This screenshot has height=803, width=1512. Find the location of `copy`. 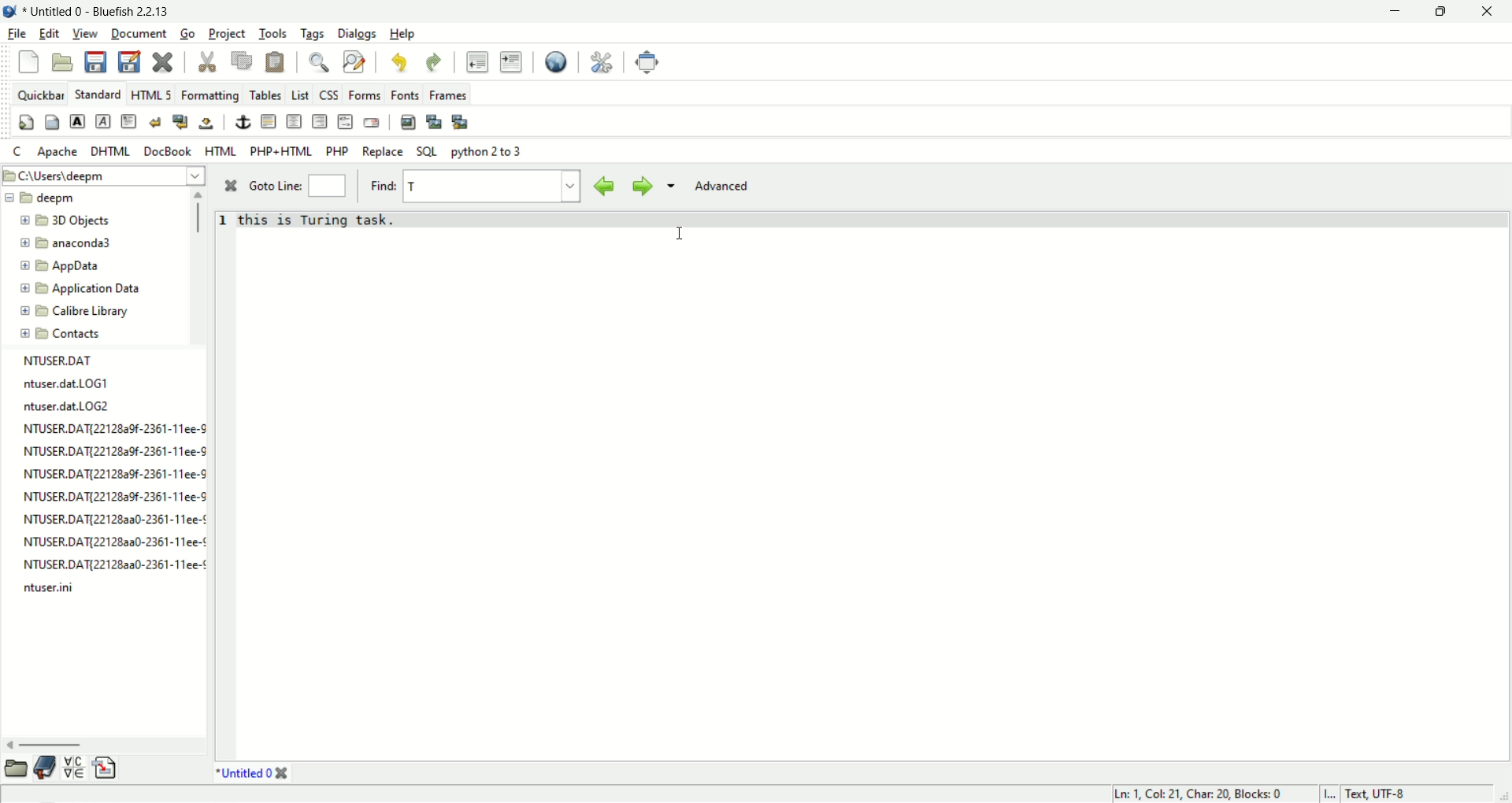

copy is located at coordinates (242, 61).